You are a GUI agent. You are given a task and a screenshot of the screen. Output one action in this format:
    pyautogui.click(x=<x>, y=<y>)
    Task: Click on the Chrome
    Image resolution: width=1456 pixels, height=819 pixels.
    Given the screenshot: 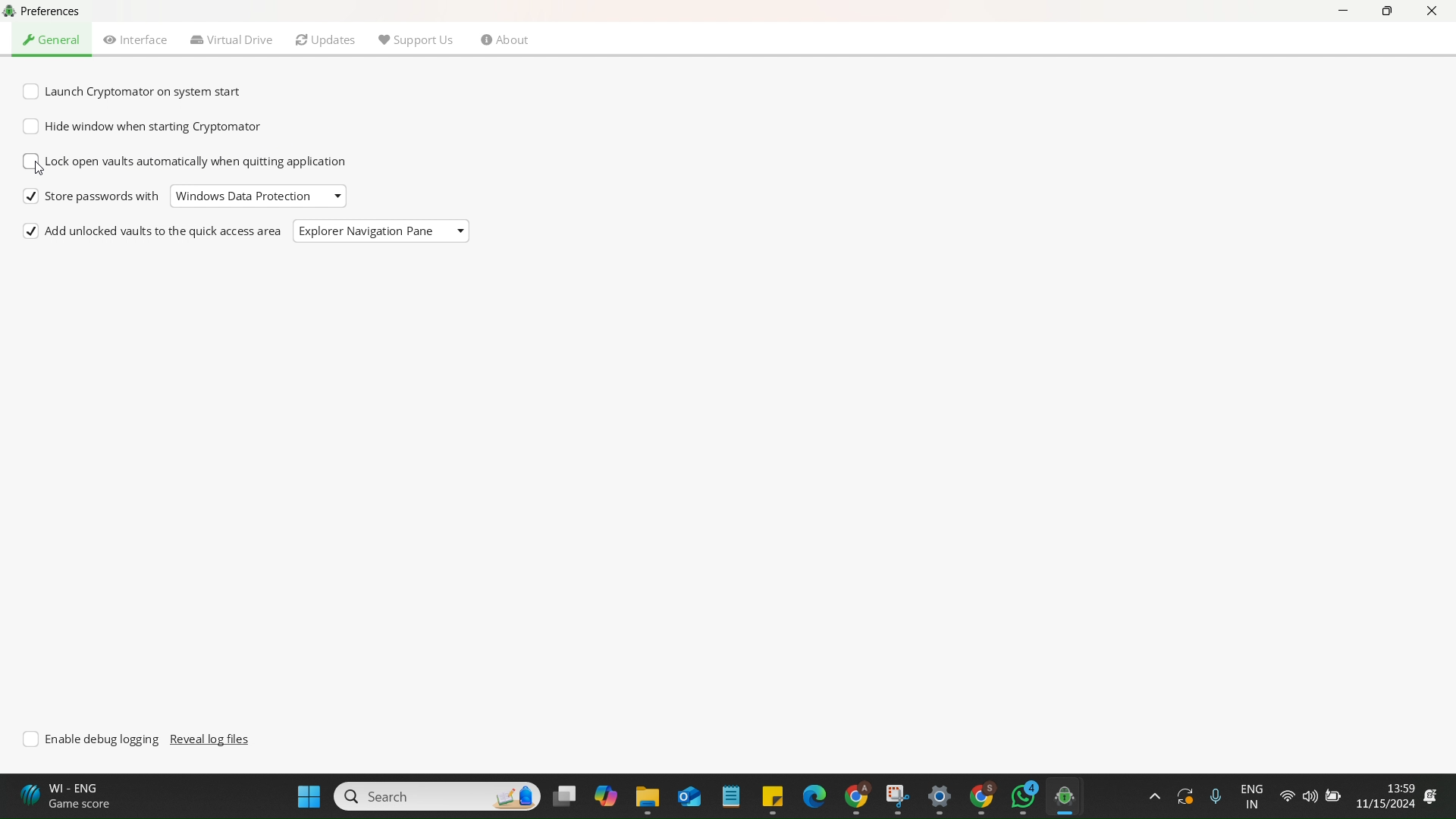 What is the action you would take?
    pyautogui.click(x=981, y=798)
    